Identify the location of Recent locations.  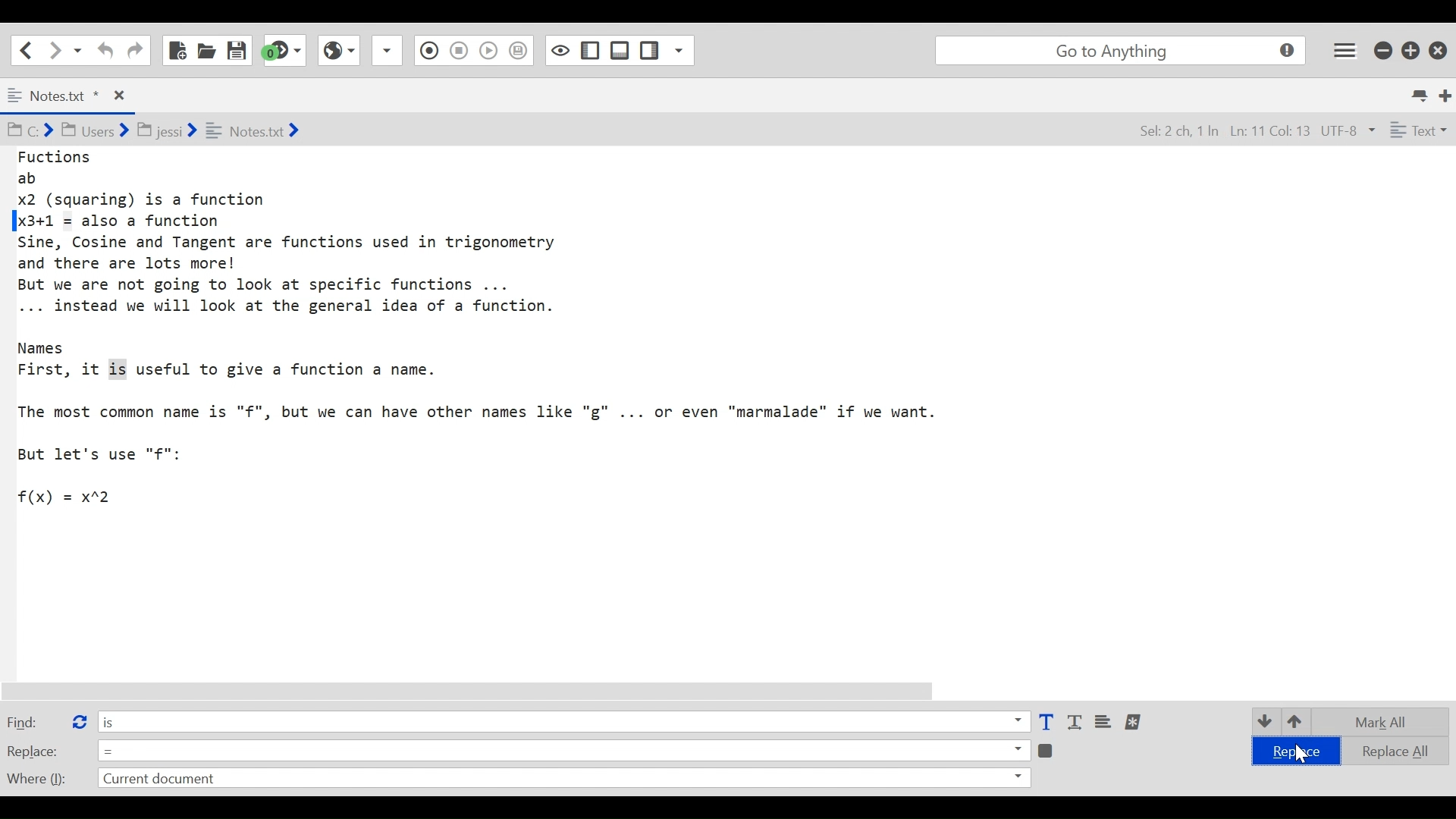
(78, 49).